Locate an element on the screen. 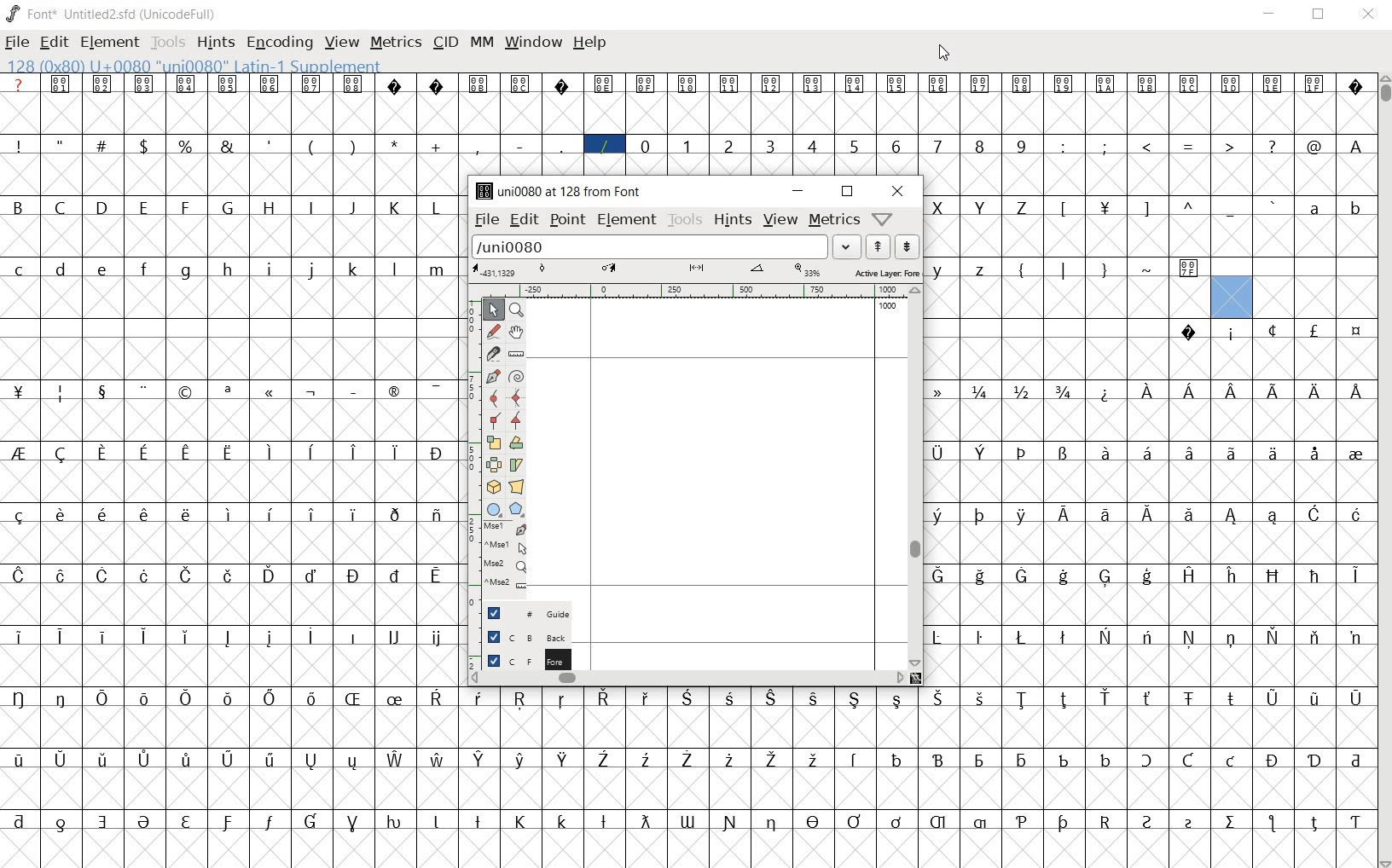  glyph is located at coordinates (772, 824).